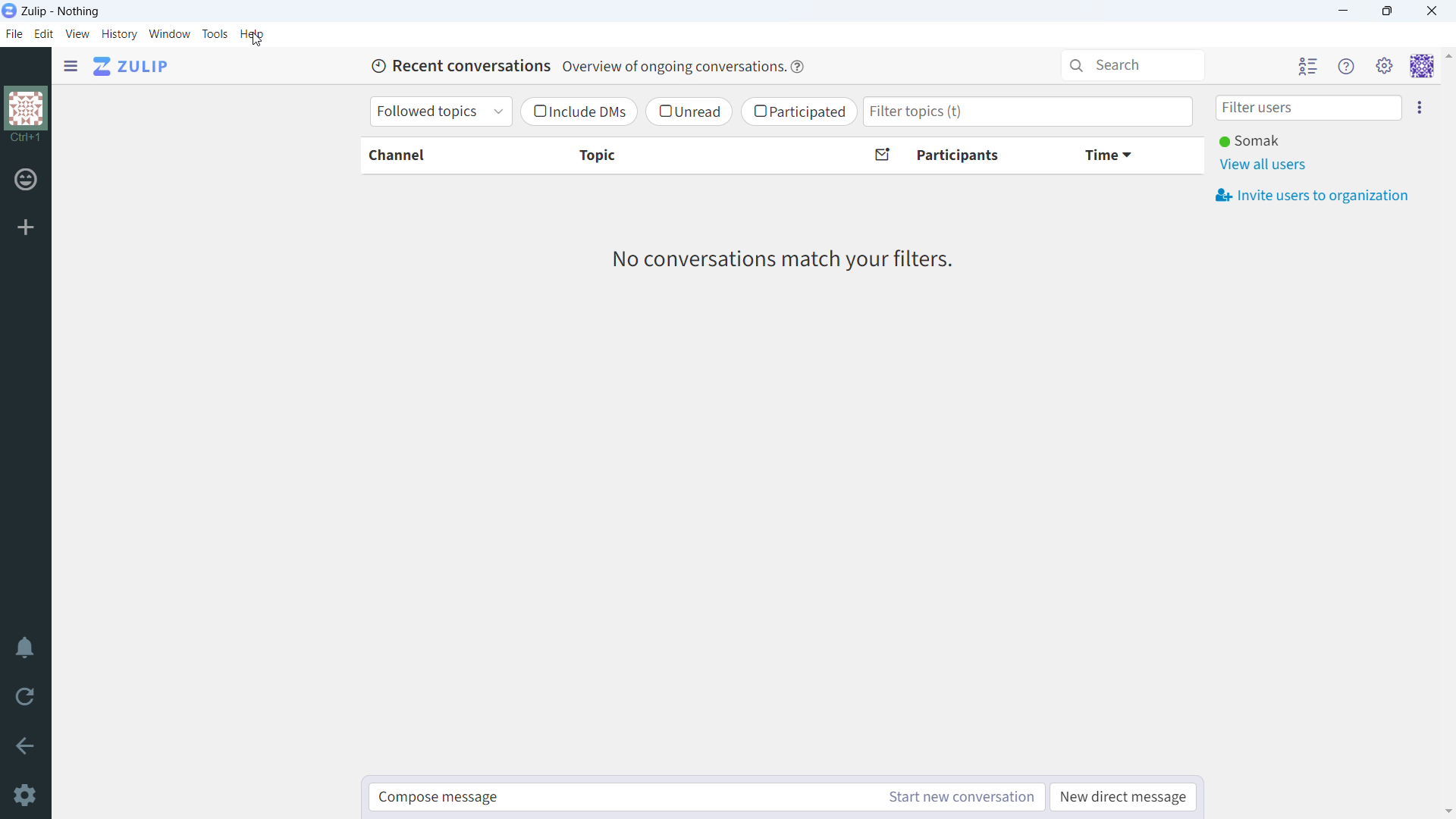 This screenshot has width=1456, height=819. Describe the element at coordinates (25, 648) in the screenshot. I see `enable do not disturb` at that location.